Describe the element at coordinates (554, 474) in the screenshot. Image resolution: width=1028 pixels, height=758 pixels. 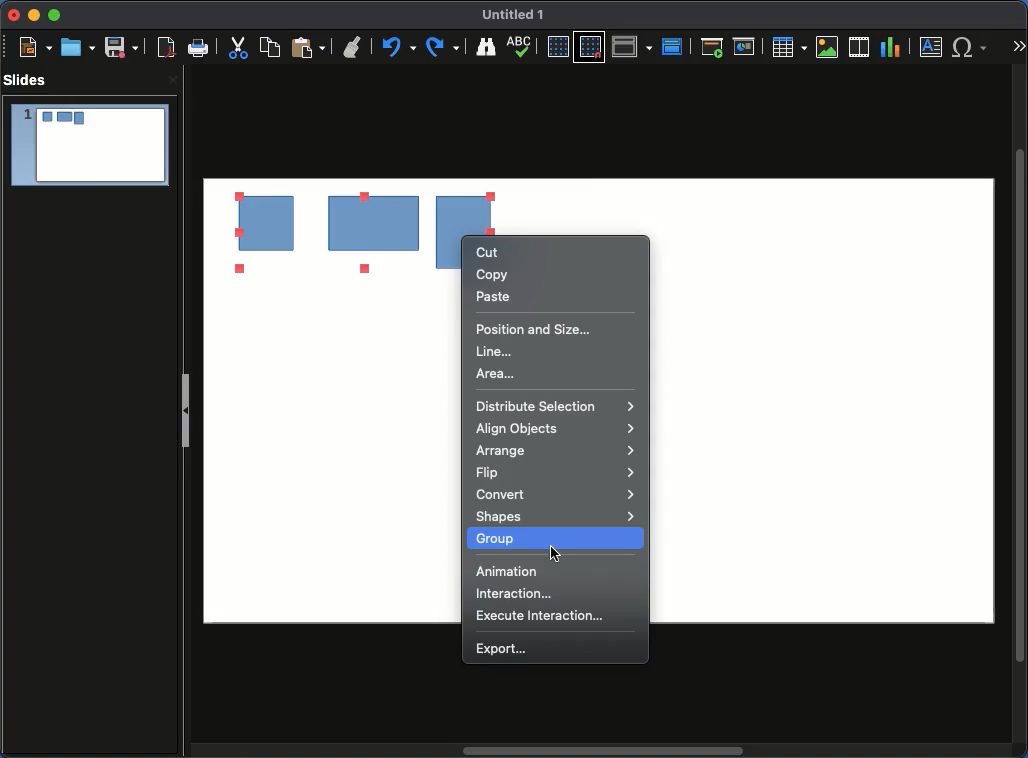
I see `Flip` at that location.